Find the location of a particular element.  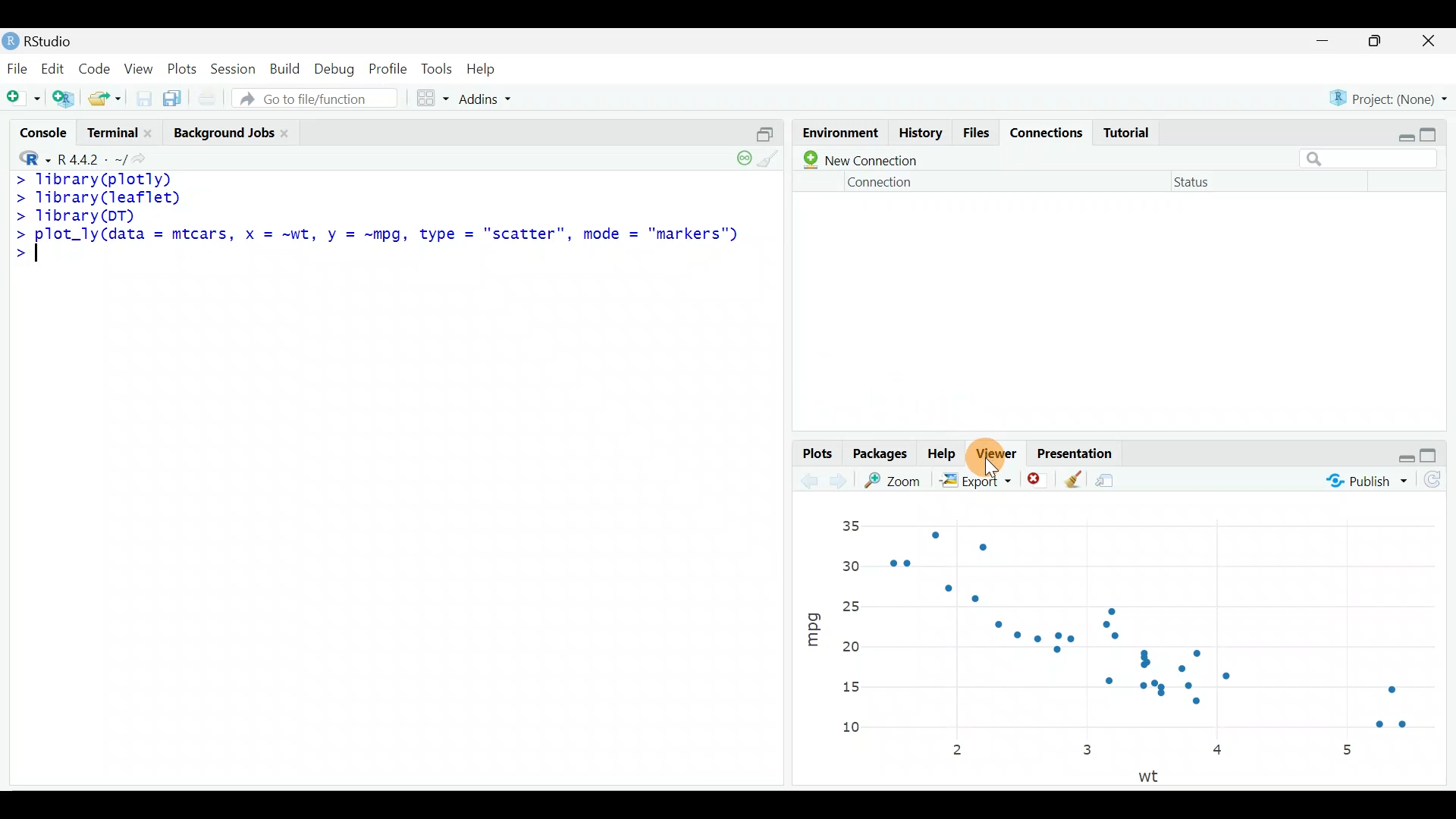

10 is located at coordinates (850, 727).